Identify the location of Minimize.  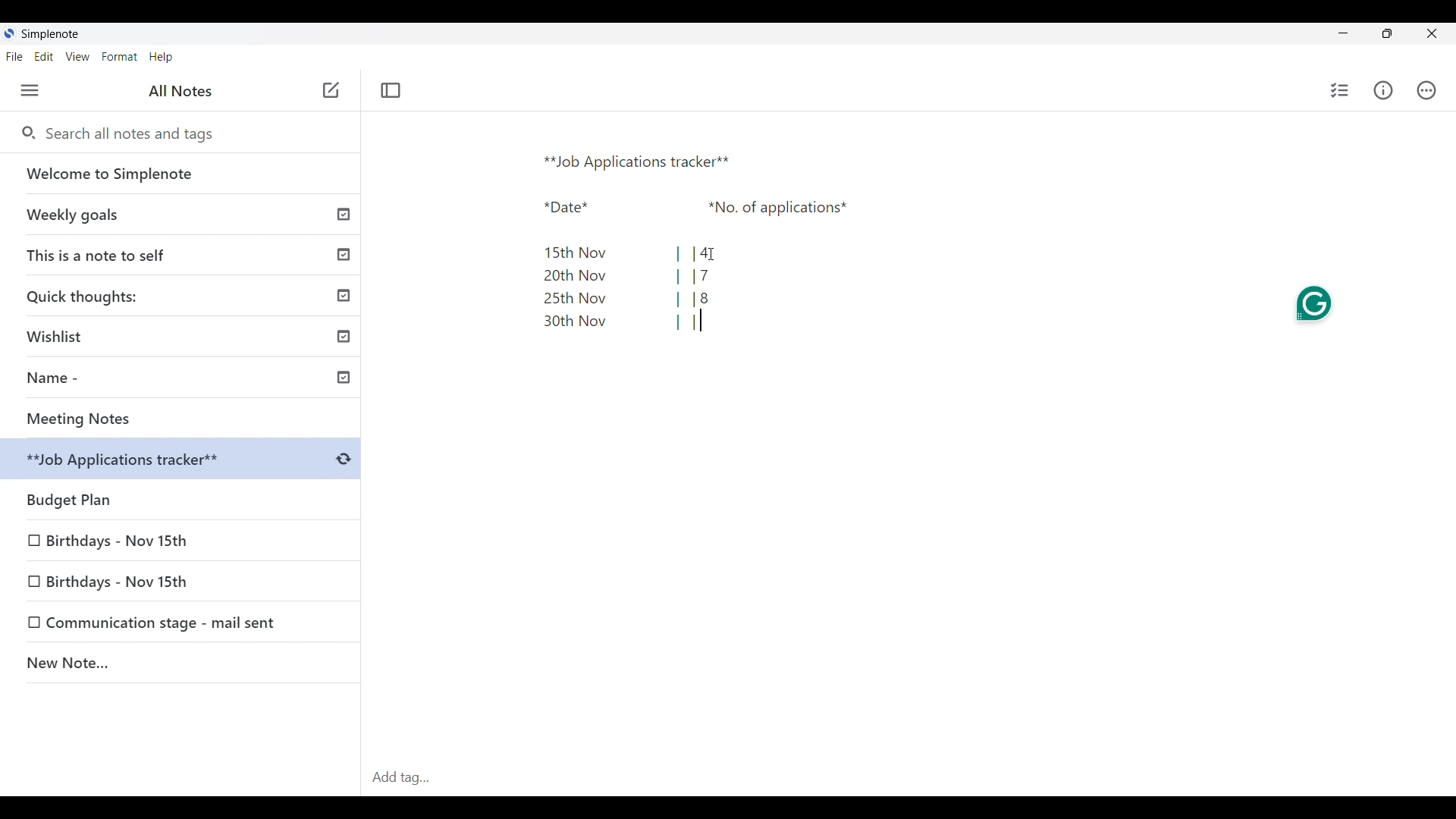
(1343, 33).